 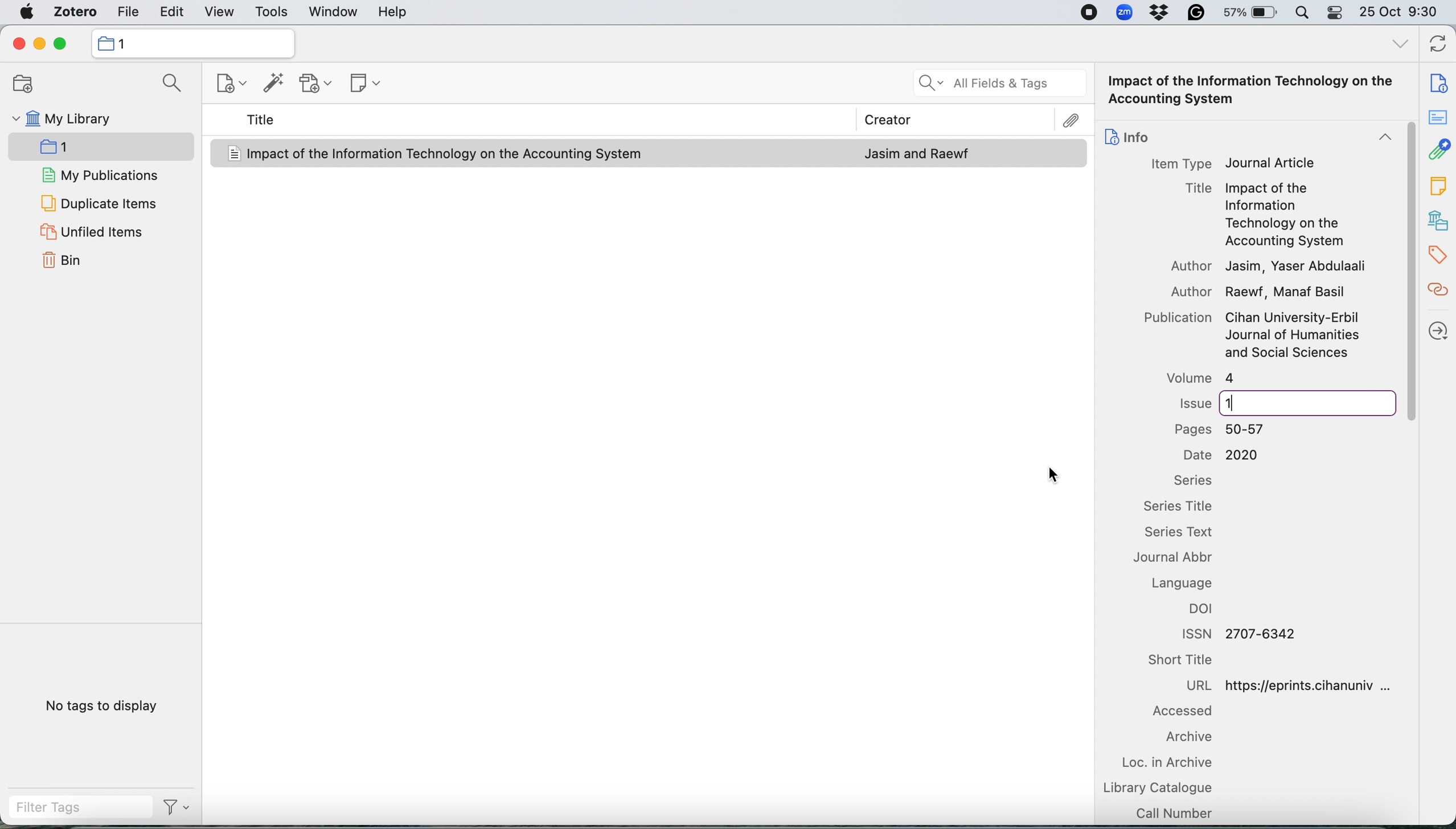 What do you see at coordinates (1162, 14) in the screenshot?
I see `dropbox` at bounding box center [1162, 14].